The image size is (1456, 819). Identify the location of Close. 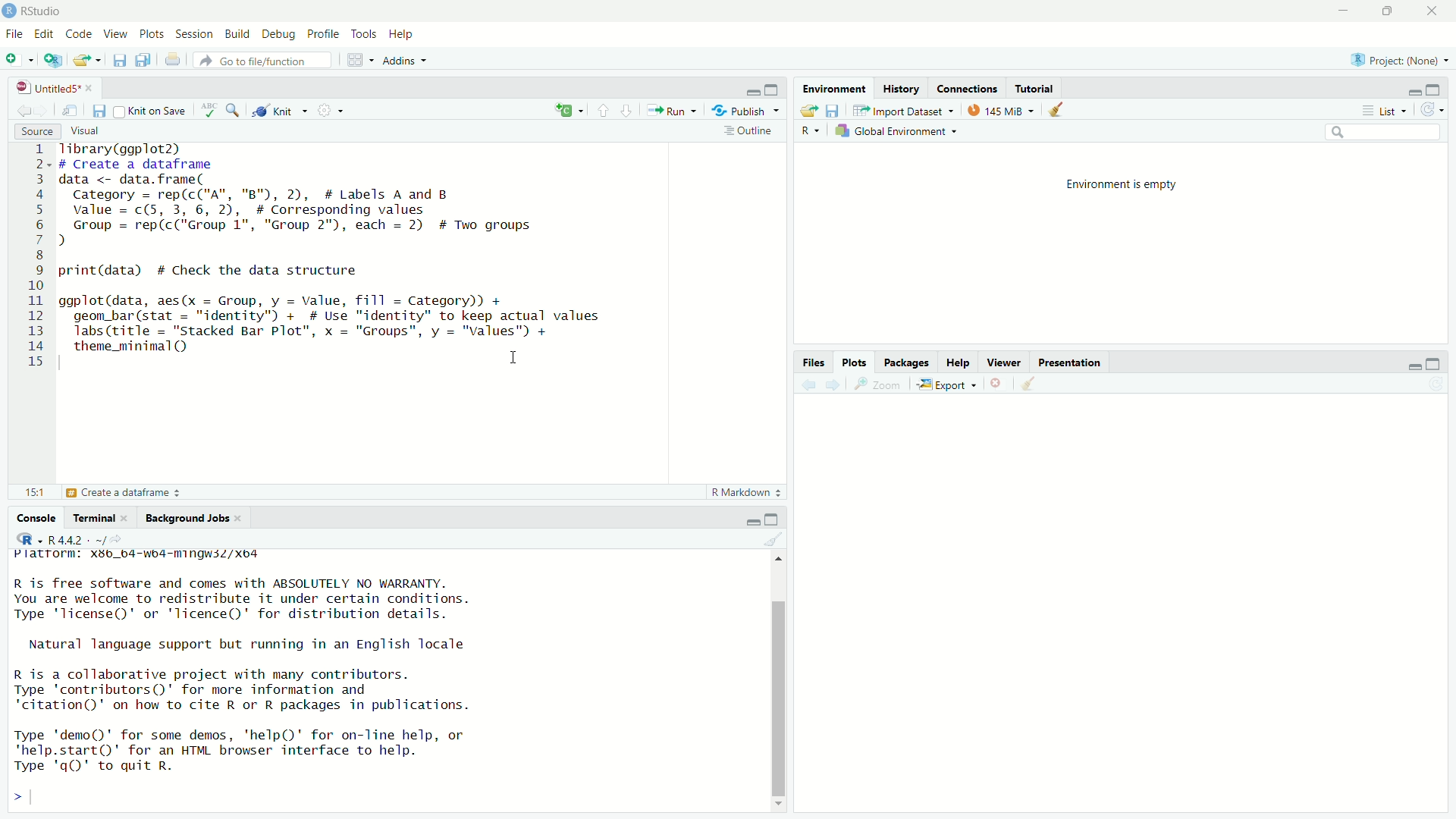
(999, 384).